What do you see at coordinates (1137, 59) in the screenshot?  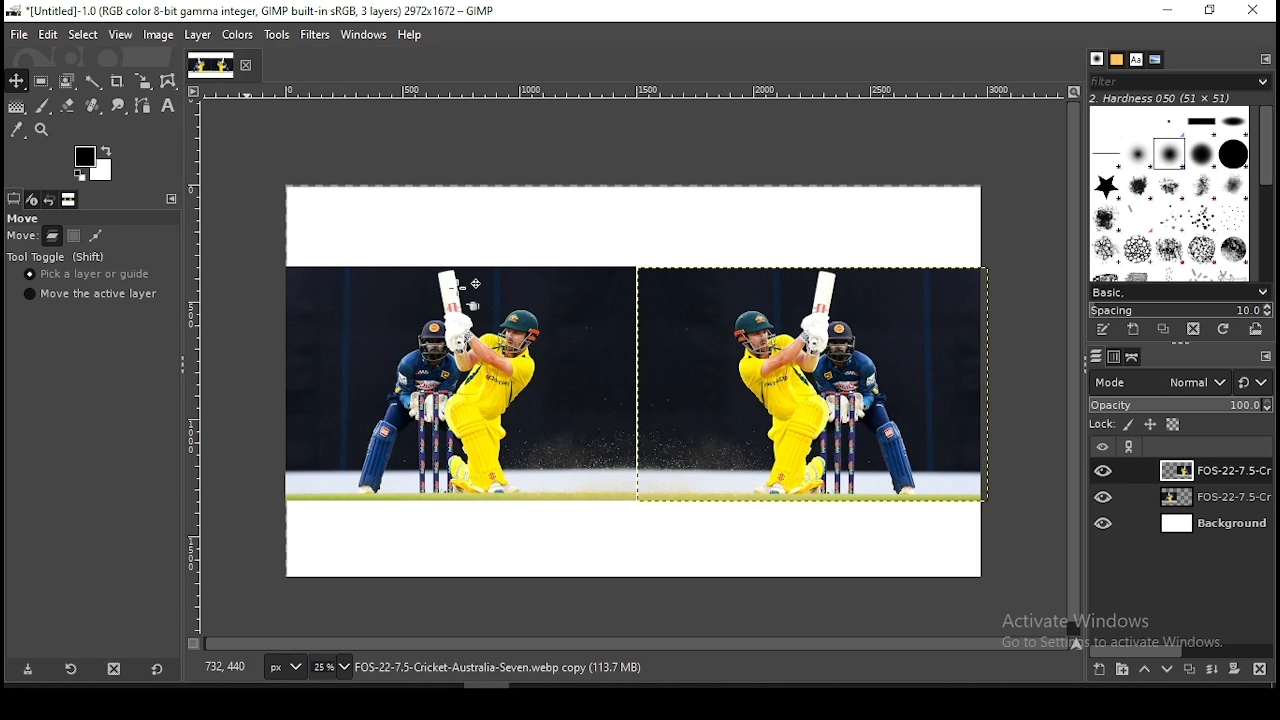 I see `fonts` at bounding box center [1137, 59].